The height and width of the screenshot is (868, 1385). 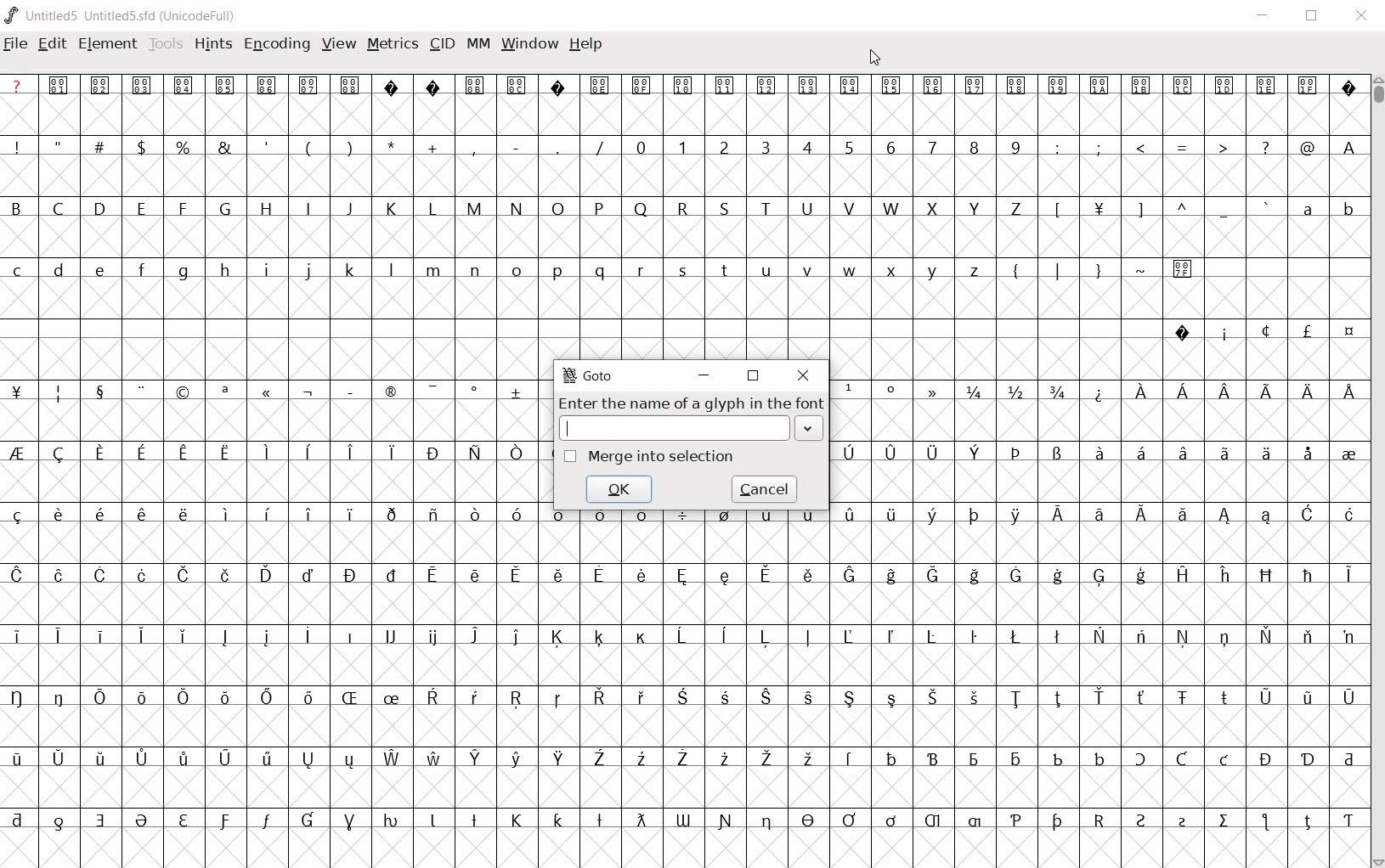 What do you see at coordinates (1054, 269) in the screenshot?
I see `|` at bounding box center [1054, 269].